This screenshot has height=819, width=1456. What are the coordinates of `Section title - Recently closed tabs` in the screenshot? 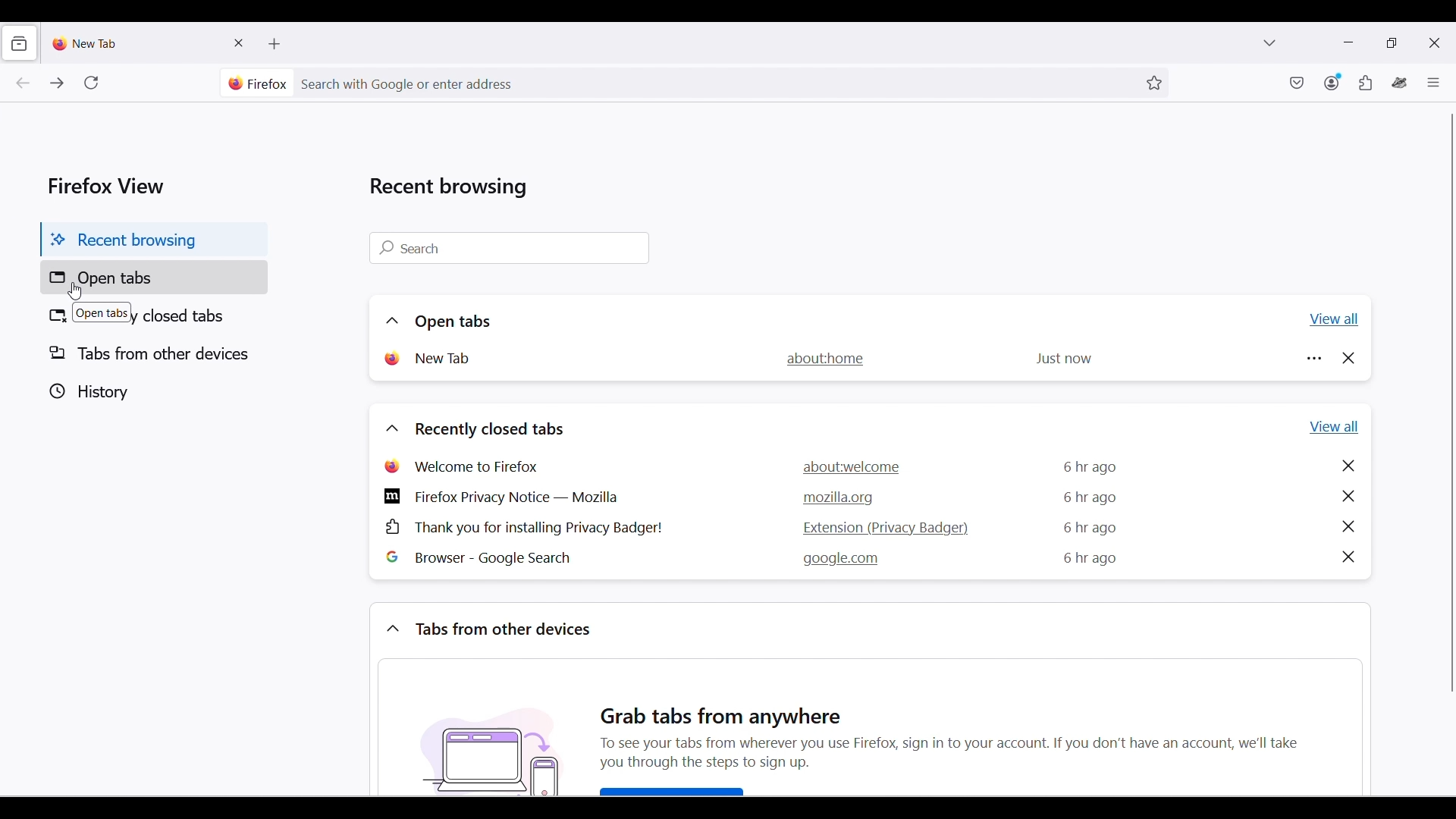 It's located at (488, 430).